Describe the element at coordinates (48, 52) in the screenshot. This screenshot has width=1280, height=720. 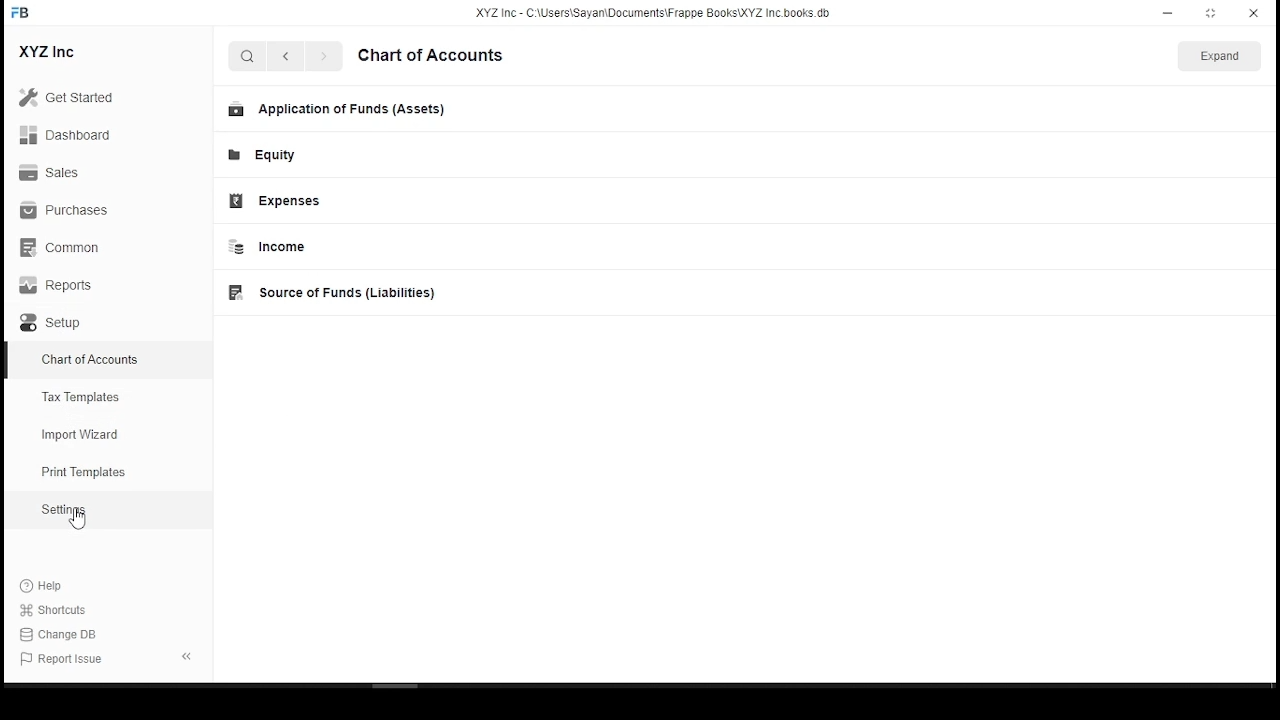
I see `XYZ Inc` at that location.